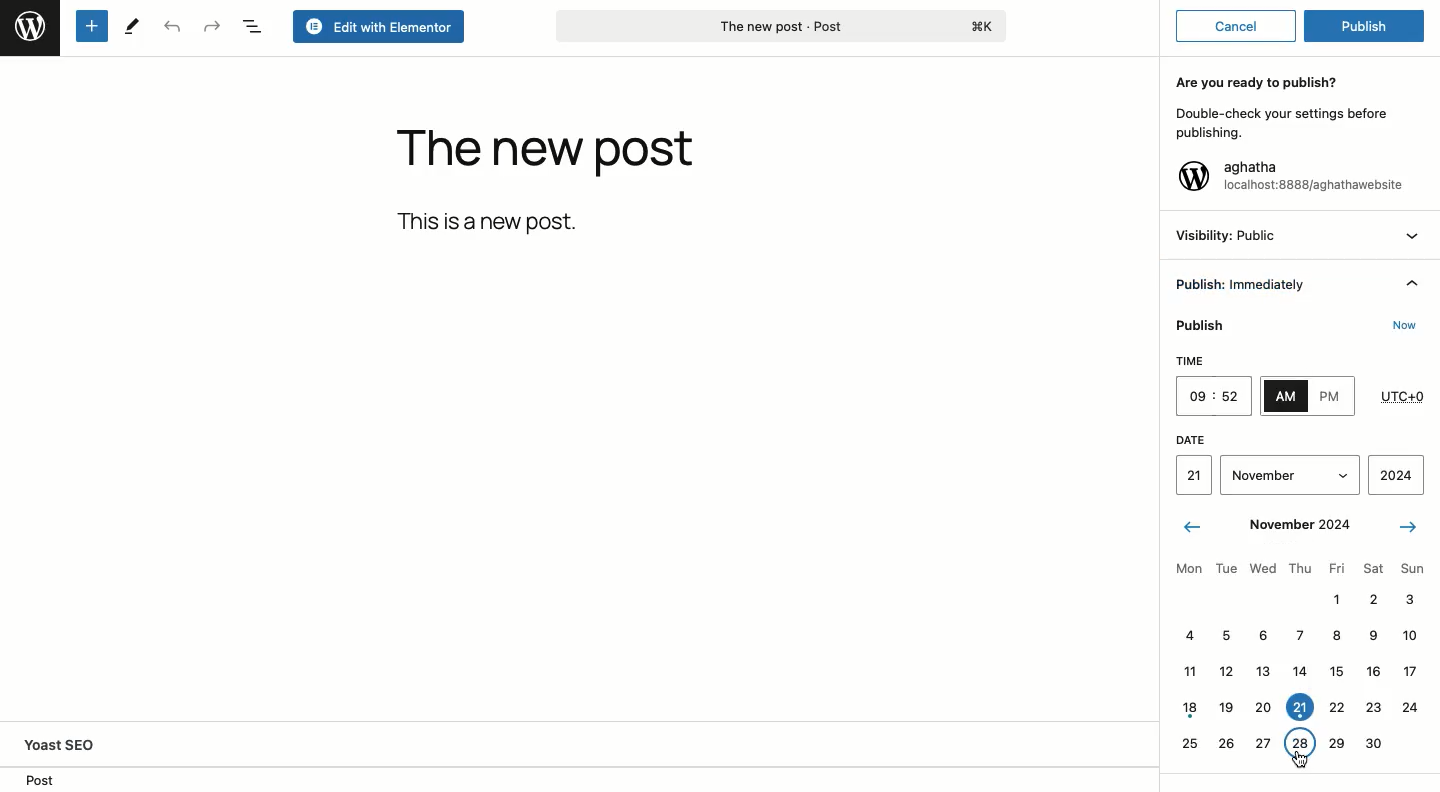 The height and width of the screenshot is (792, 1440). I want to click on Publish, so click(1370, 23).